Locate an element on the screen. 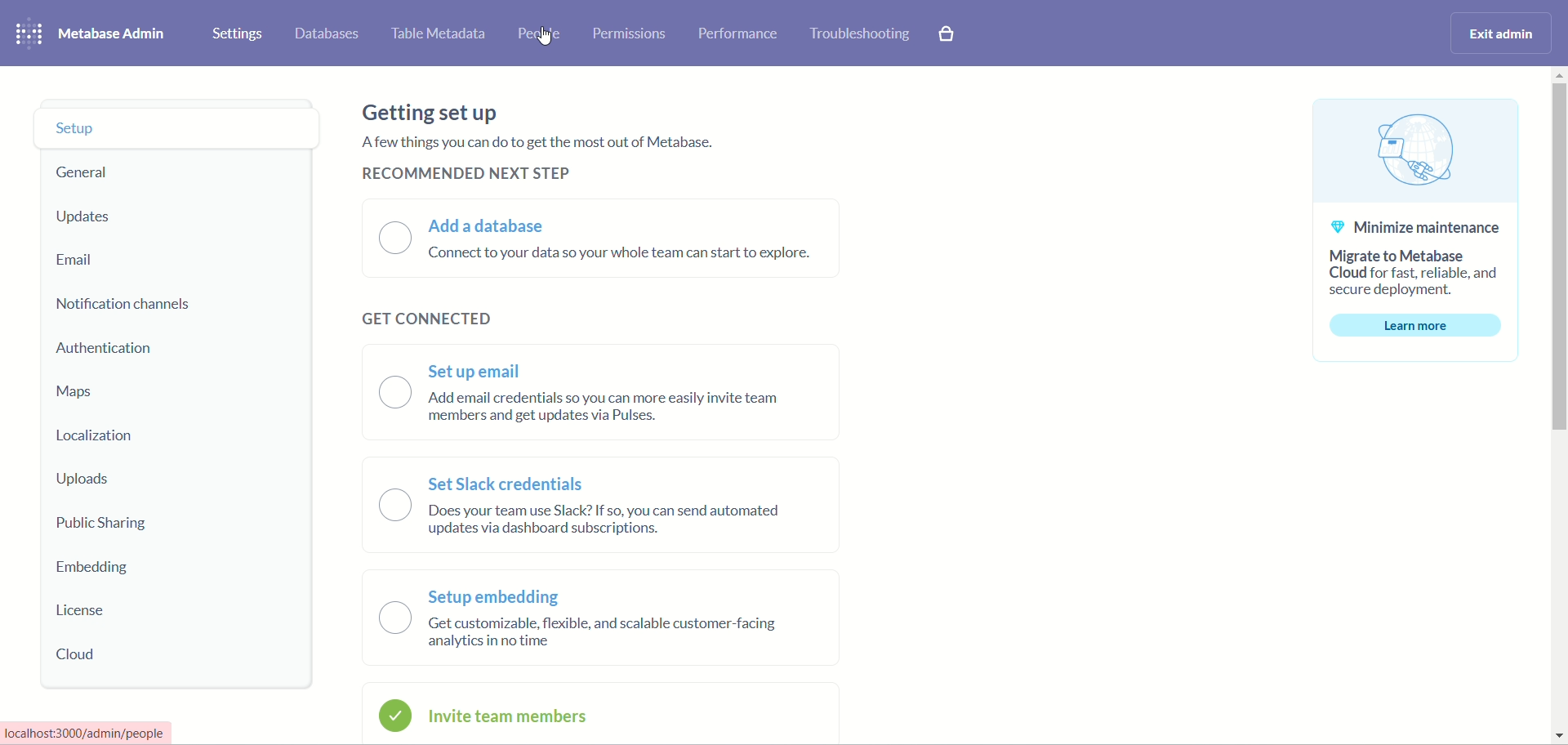  set slack credentials is located at coordinates (510, 483).